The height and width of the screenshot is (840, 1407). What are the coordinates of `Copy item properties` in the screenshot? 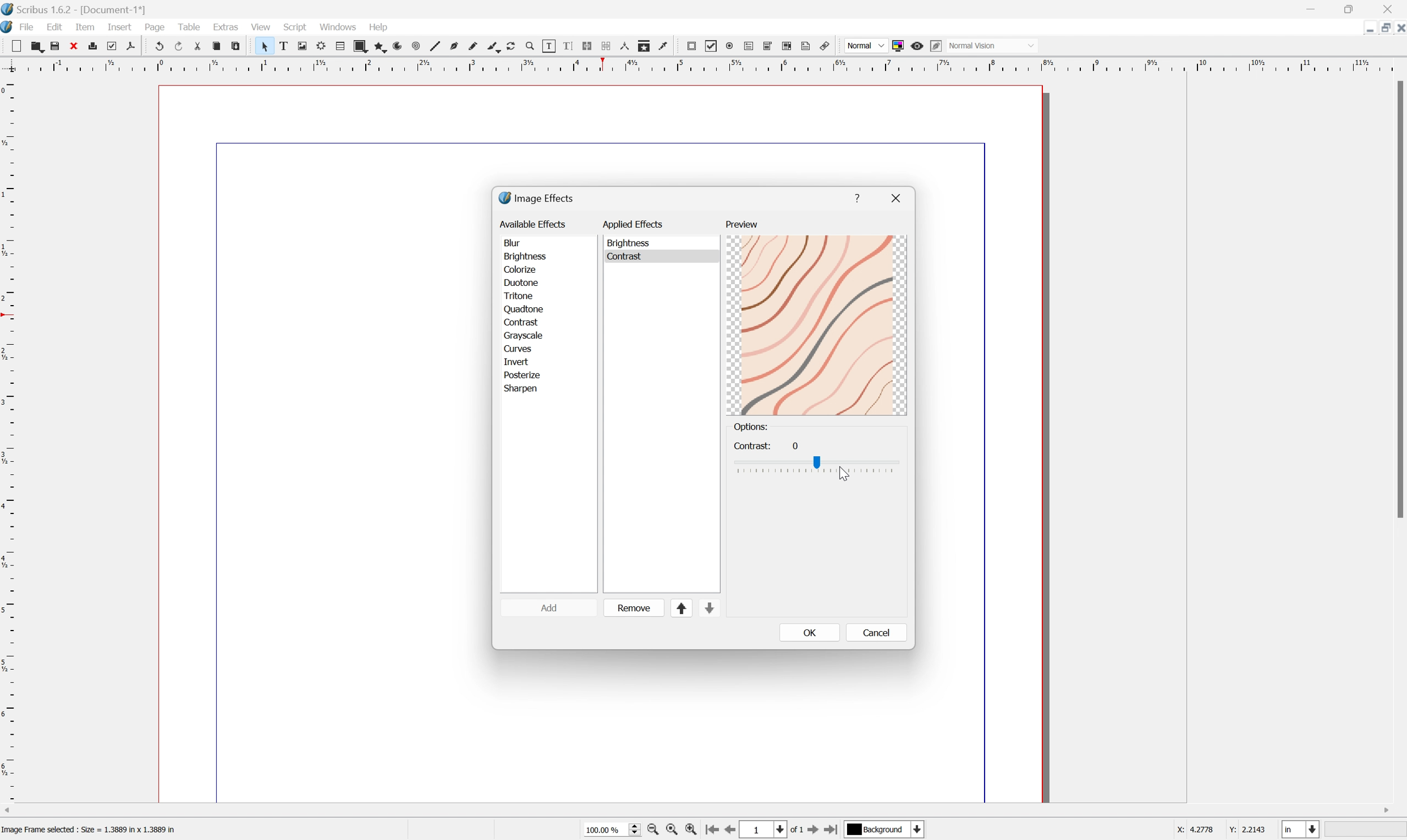 It's located at (647, 46).